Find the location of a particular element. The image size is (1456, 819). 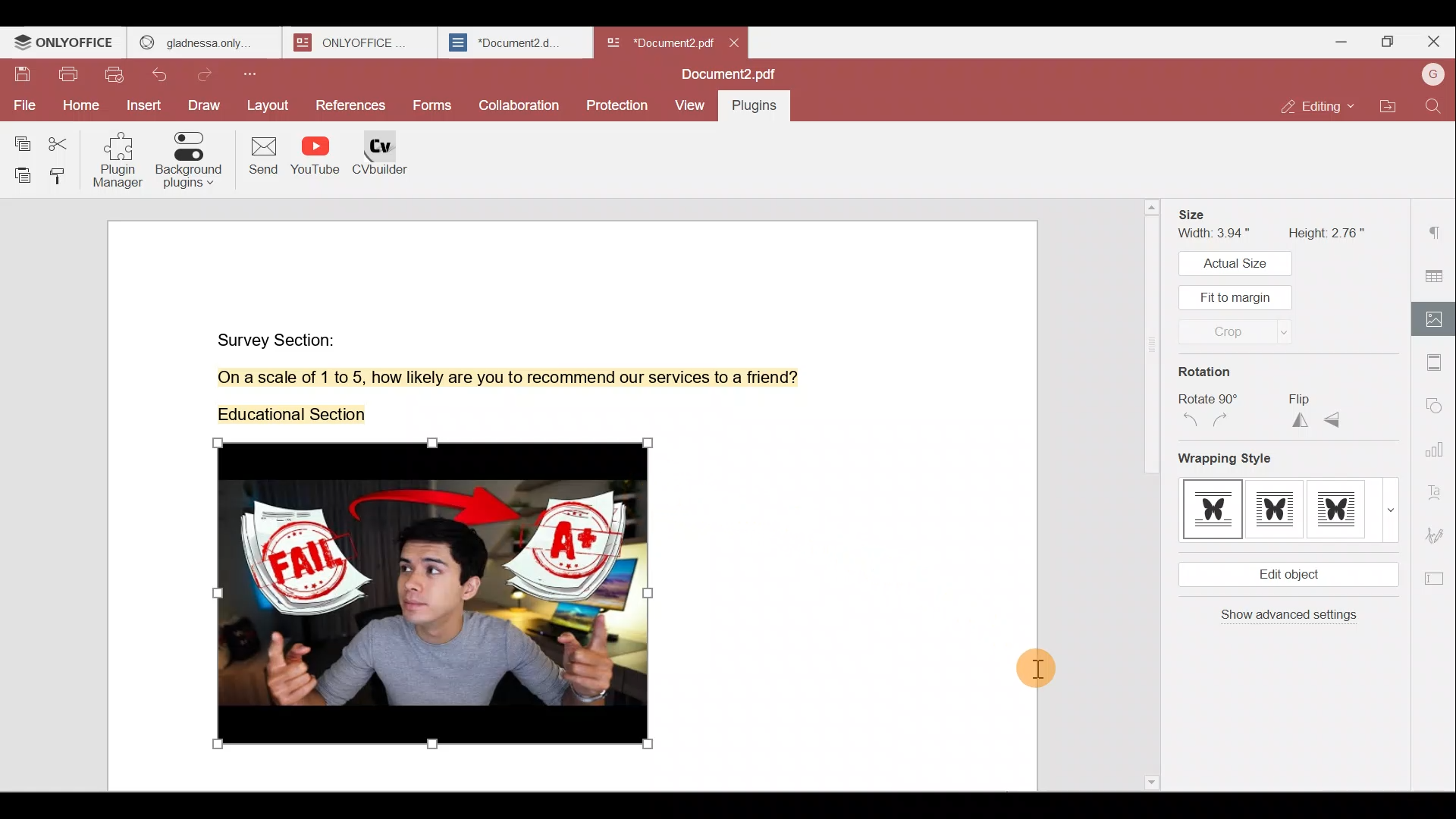

Home is located at coordinates (78, 108).